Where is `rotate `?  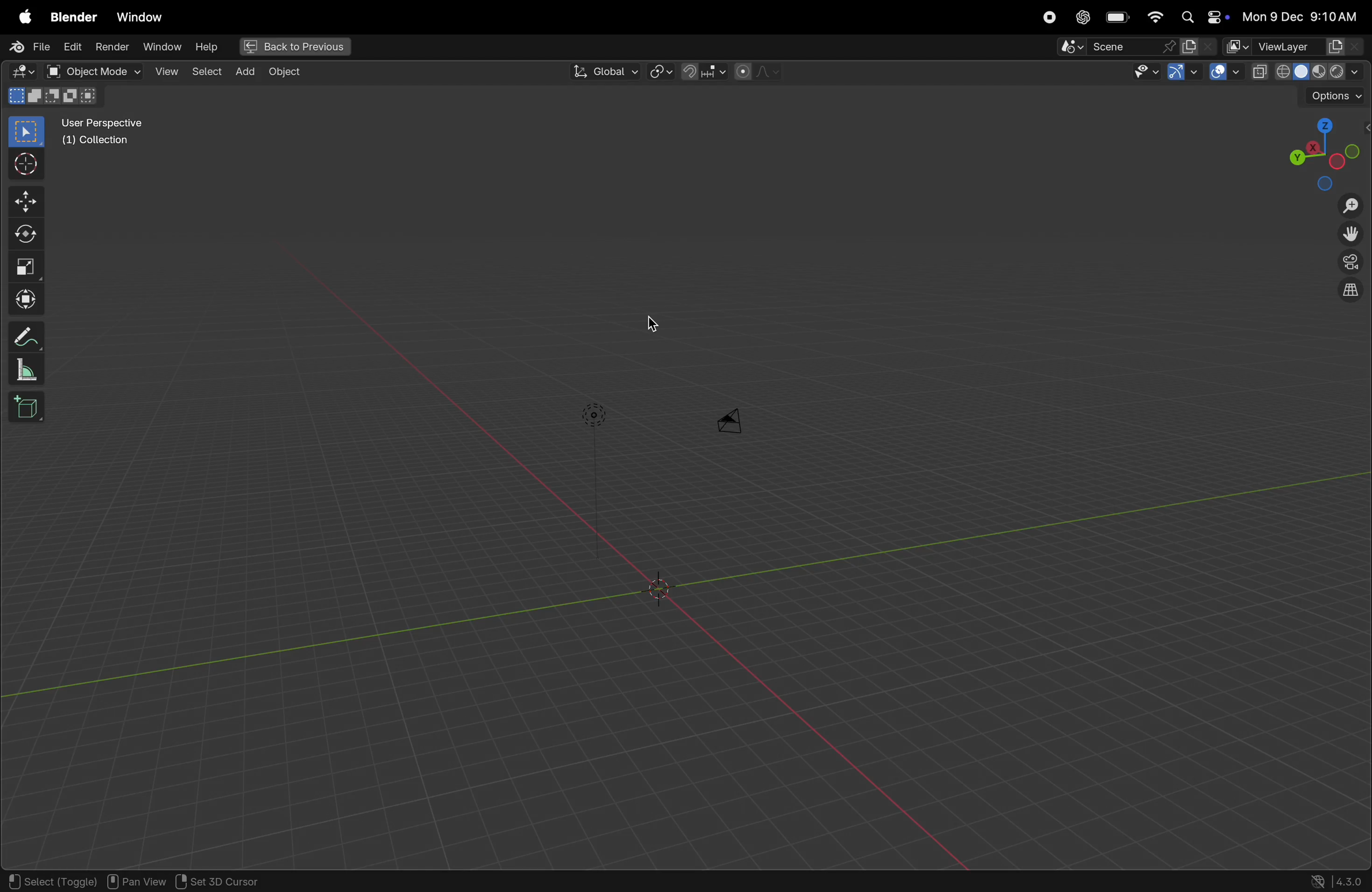
rotate  is located at coordinates (29, 232).